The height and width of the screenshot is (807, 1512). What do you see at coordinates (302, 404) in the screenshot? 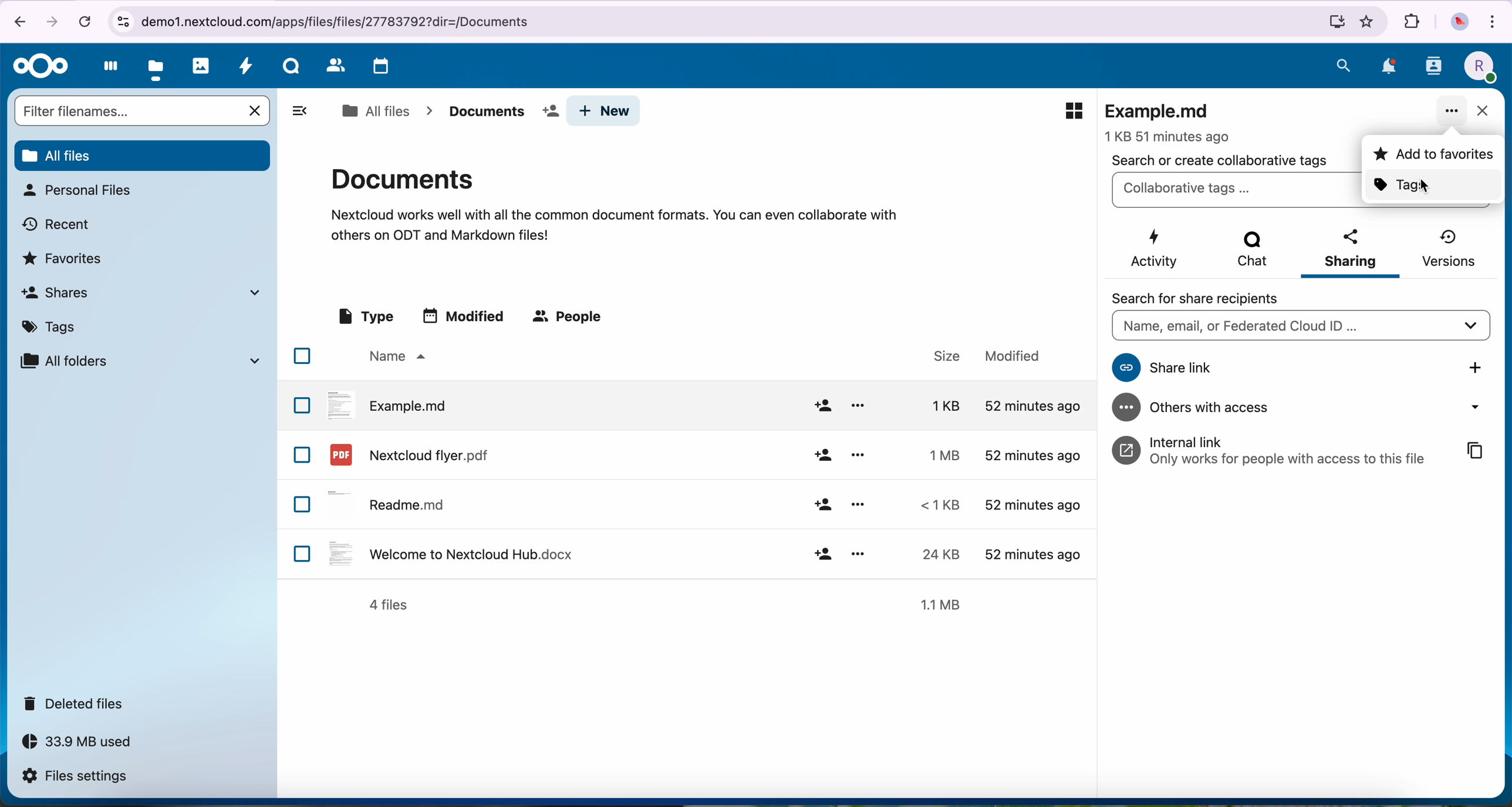
I see `checkbox` at bounding box center [302, 404].